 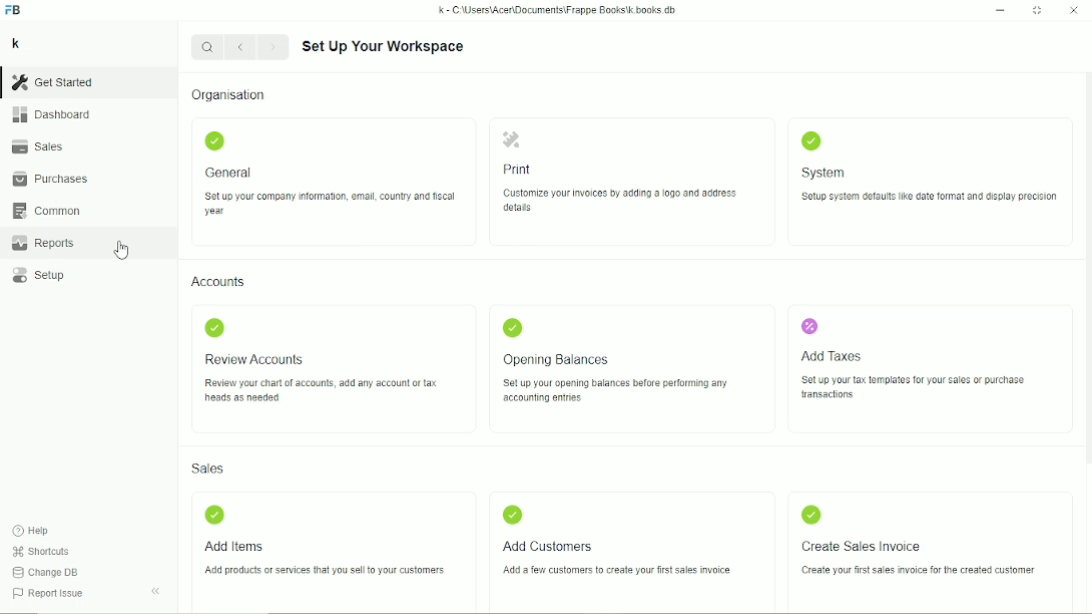 What do you see at coordinates (1074, 11) in the screenshot?
I see `Close` at bounding box center [1074, 11].